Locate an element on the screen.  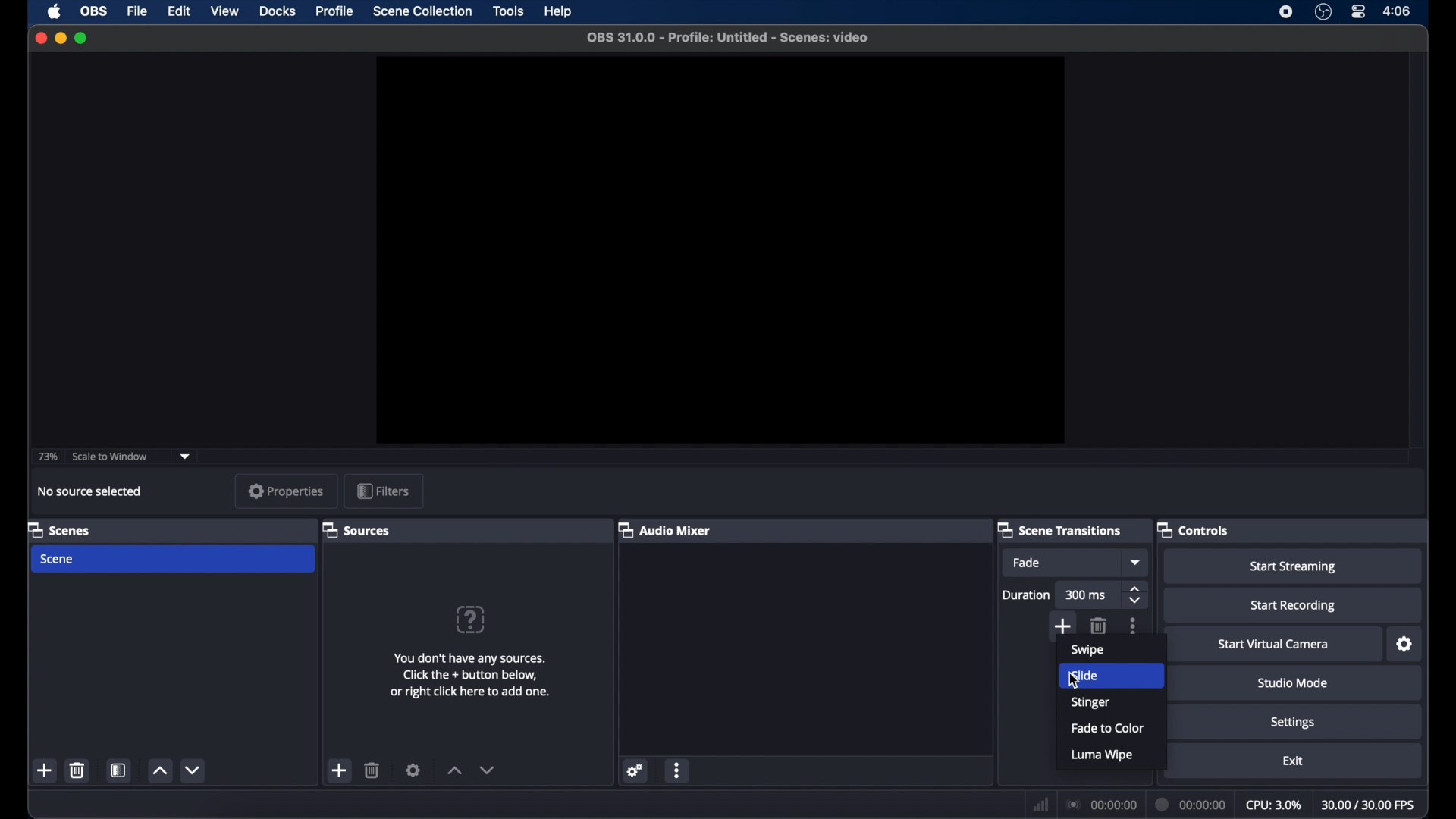
settings is located at coordinates (413, 770).